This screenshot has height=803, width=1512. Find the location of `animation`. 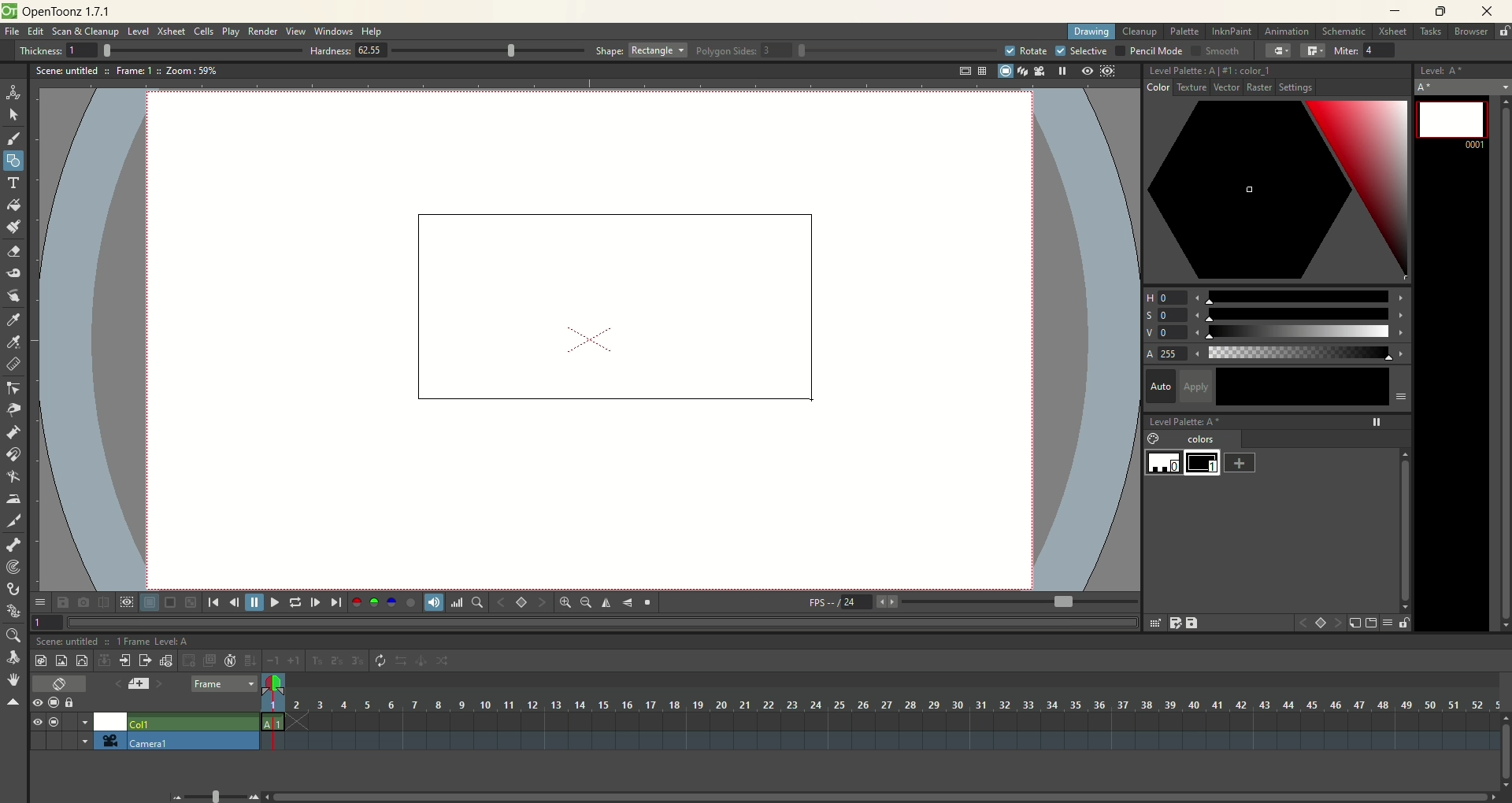

animation is located at coordinates (1290, 32).